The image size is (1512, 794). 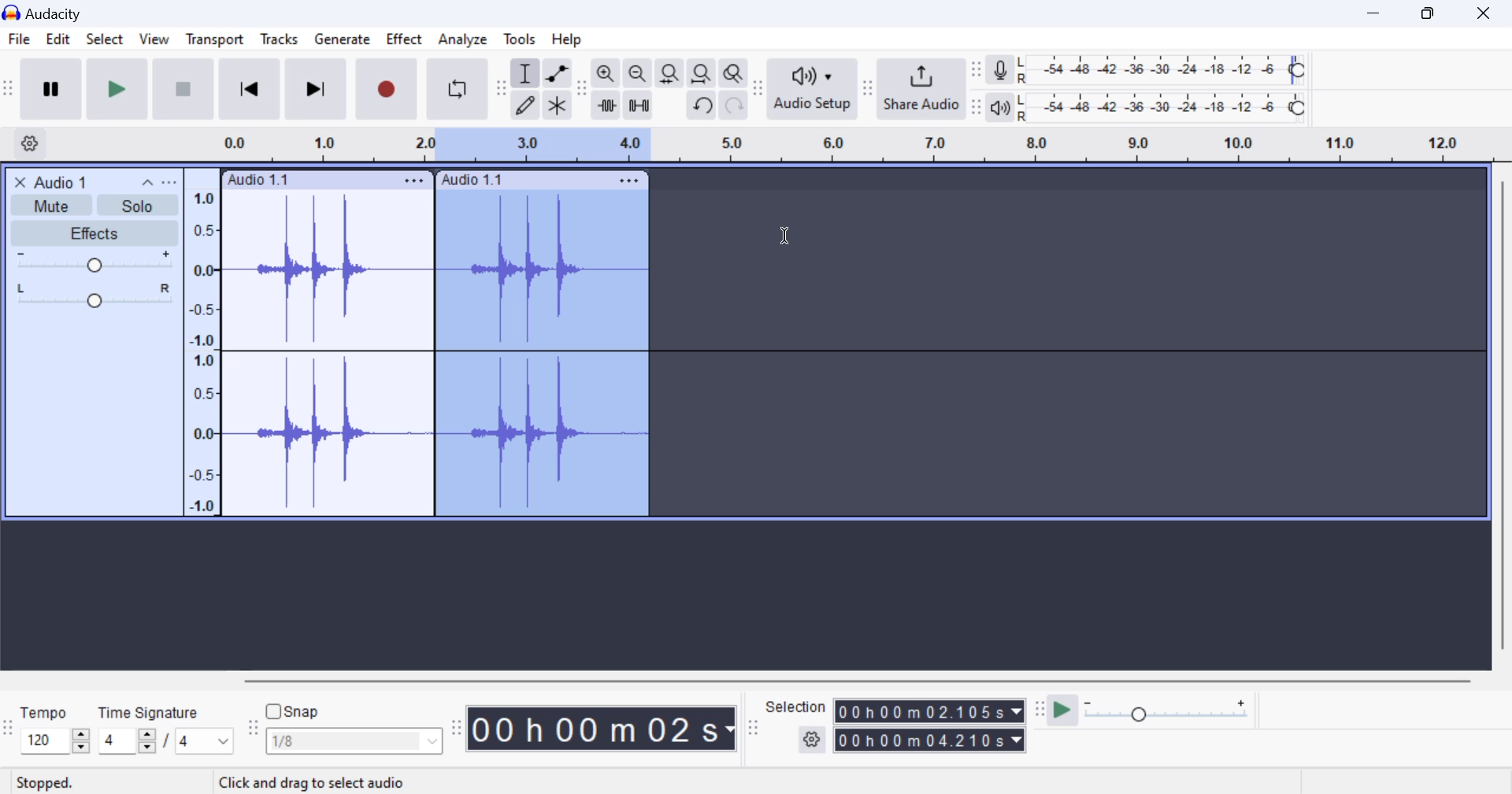 What do you see at coordinates (185, 88) in the screenshot?
I see `Stop` at bounding box center [185, 88].